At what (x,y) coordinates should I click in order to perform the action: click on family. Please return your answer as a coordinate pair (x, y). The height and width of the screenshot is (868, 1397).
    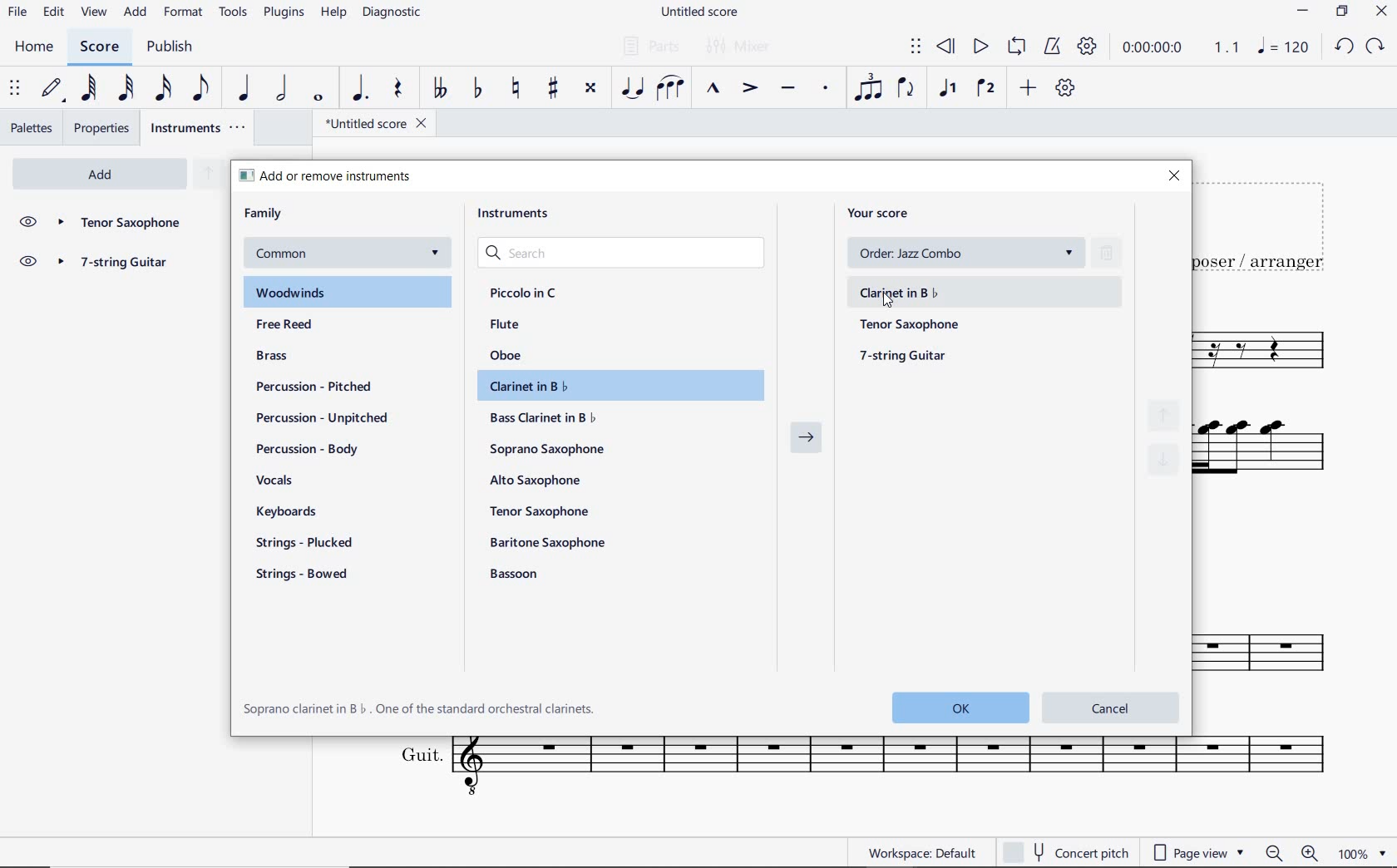
    Looking at the image, I should click on (264, 214).